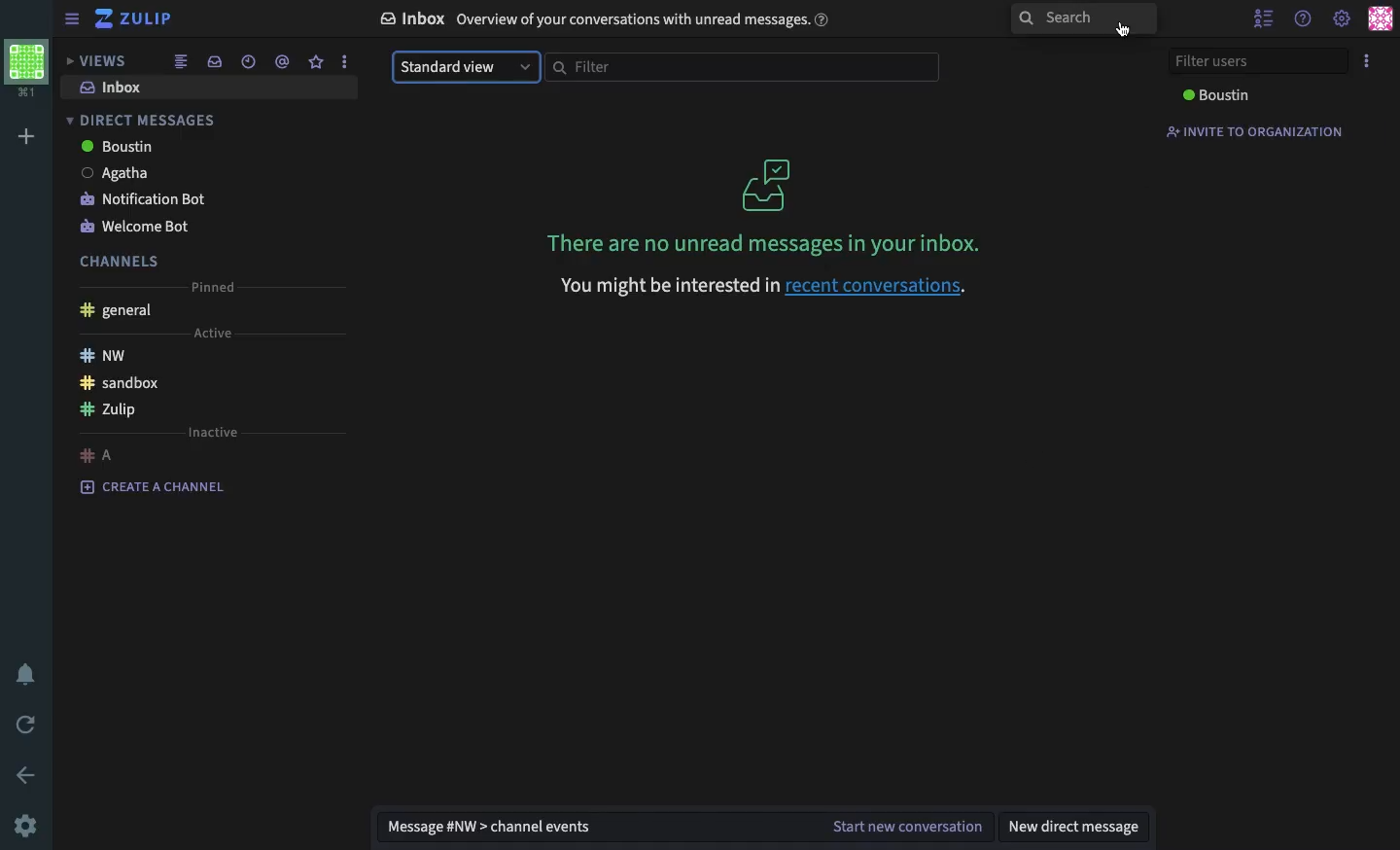 Image resolution: width=1400 pixels, height=850 pixels. I want to click on notification bot, so click(144, 201).